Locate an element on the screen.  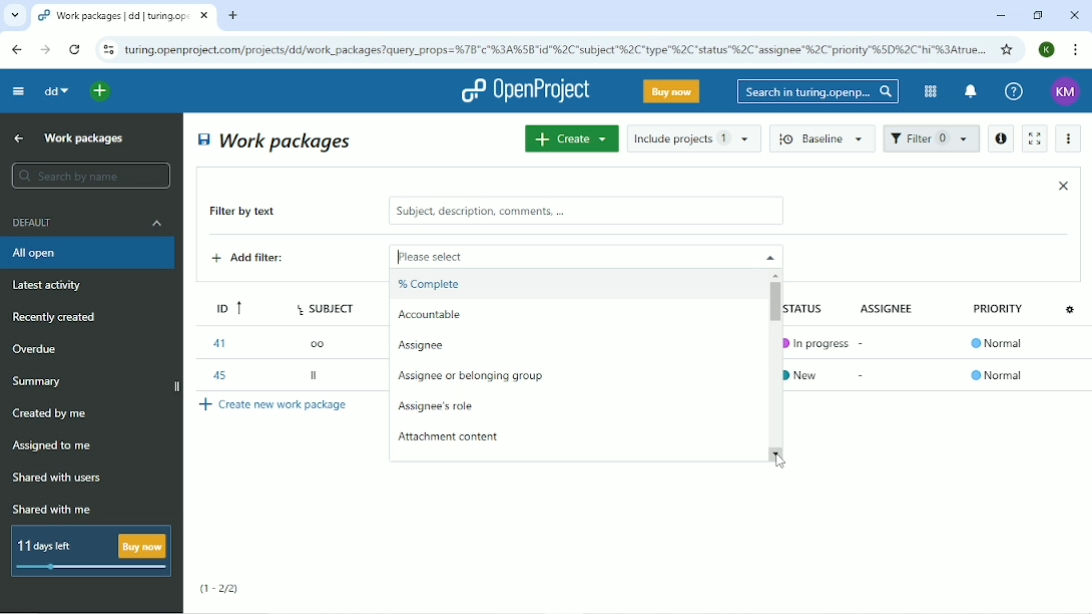
close side bar is located at coordinates (175, 388).